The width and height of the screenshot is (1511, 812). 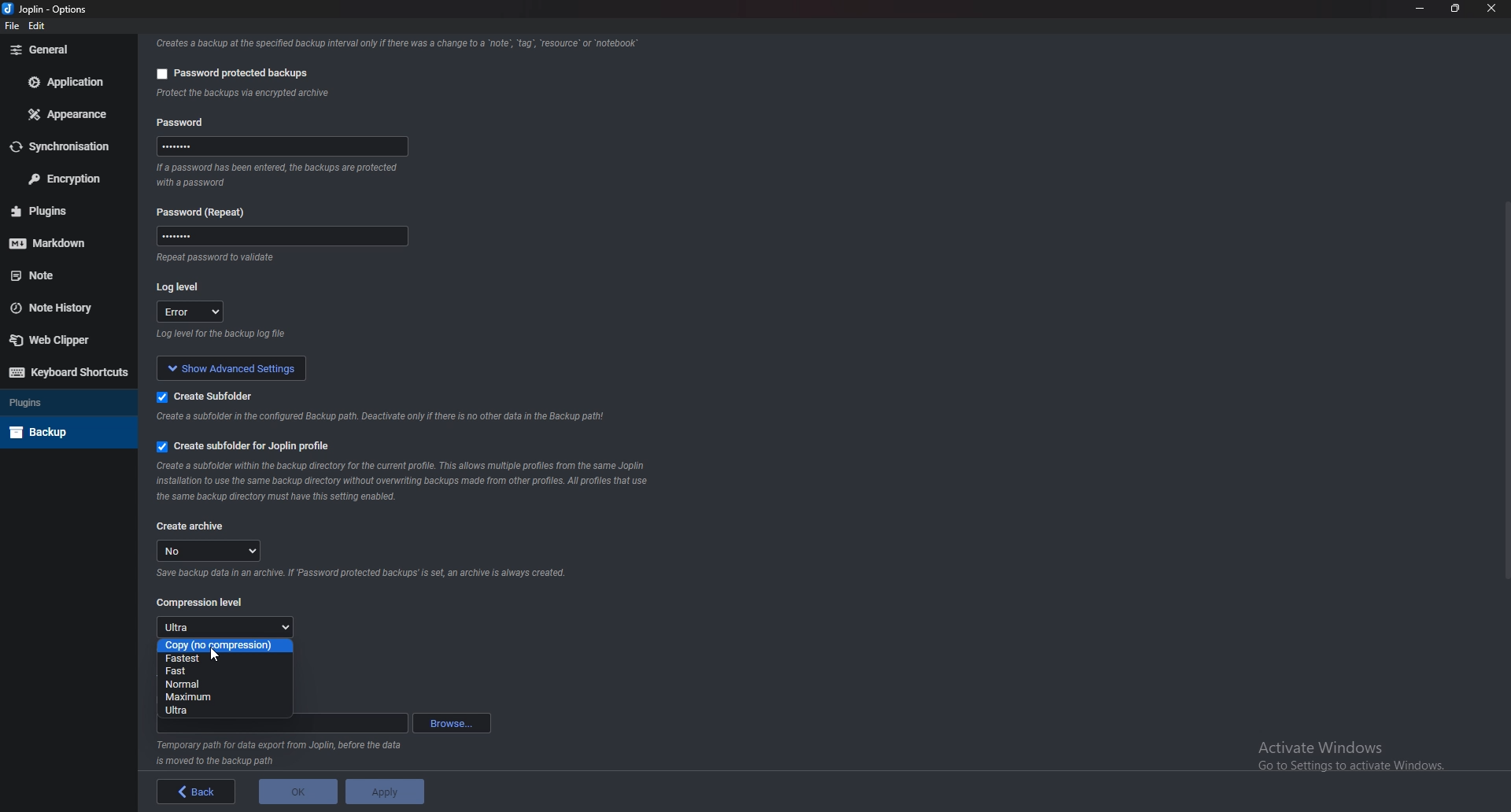 I want to click on Resize, so click(x=1457, y=8).